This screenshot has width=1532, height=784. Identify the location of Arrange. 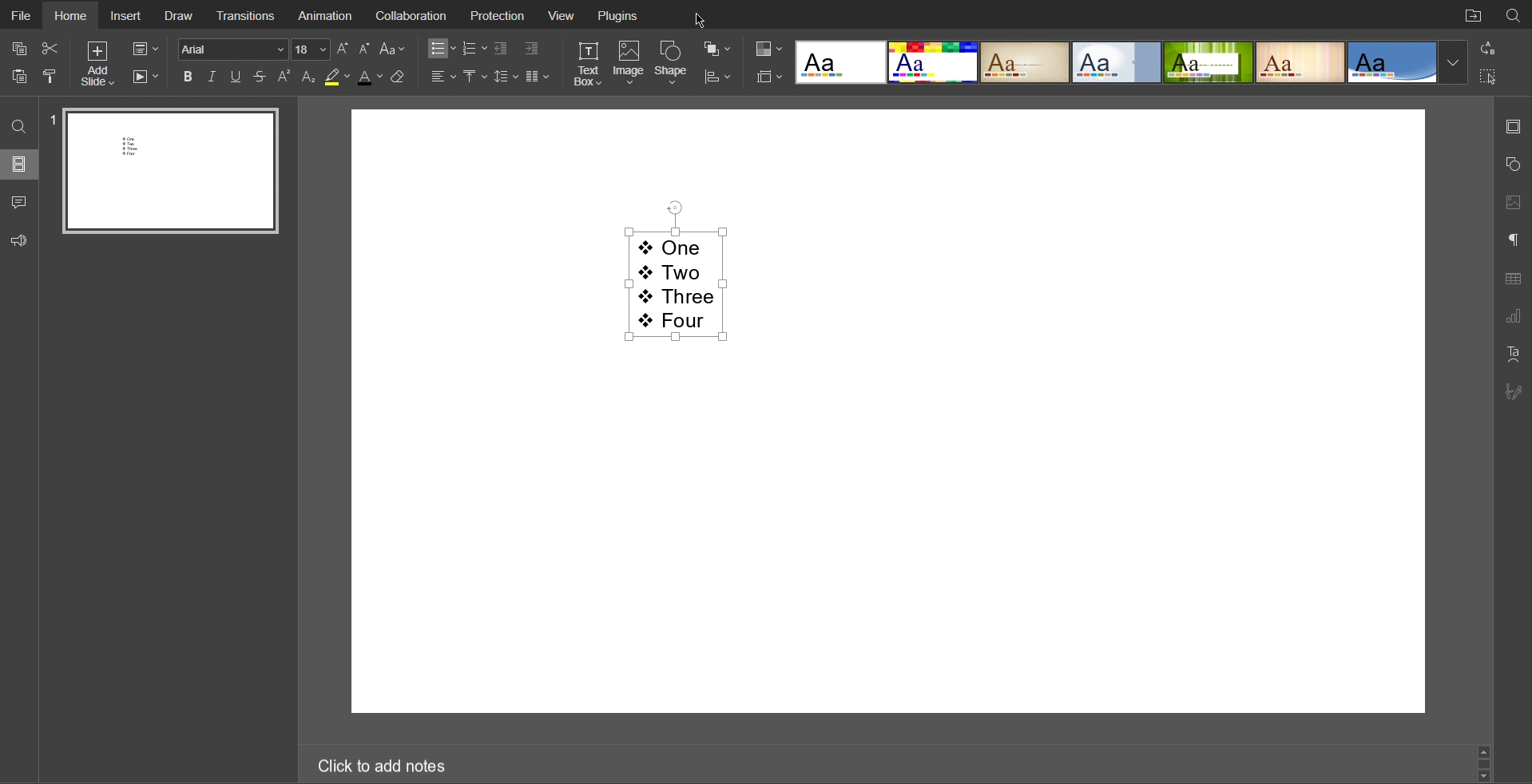
(717, 49).